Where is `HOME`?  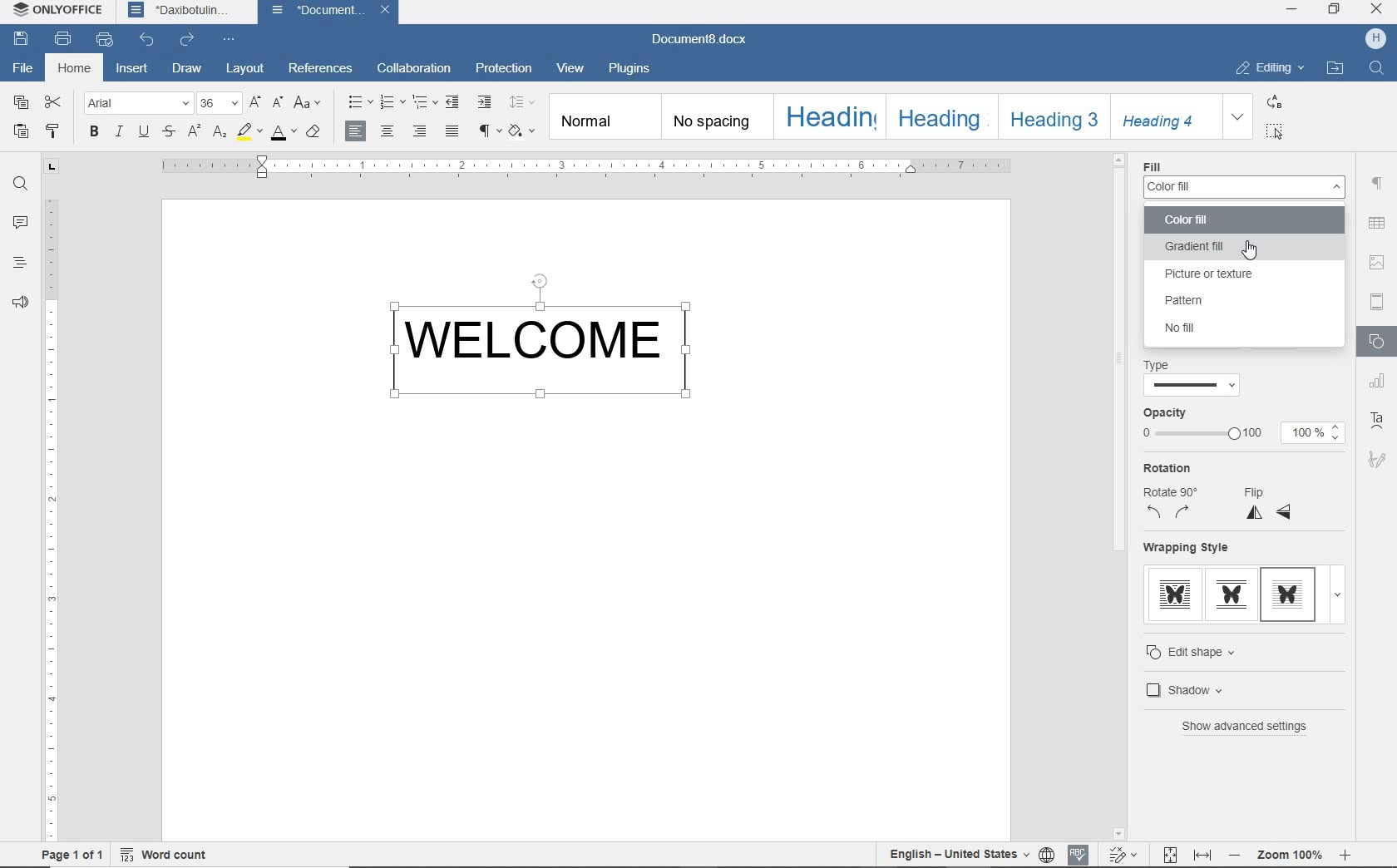 HOME is located at coordinates (76, 69).